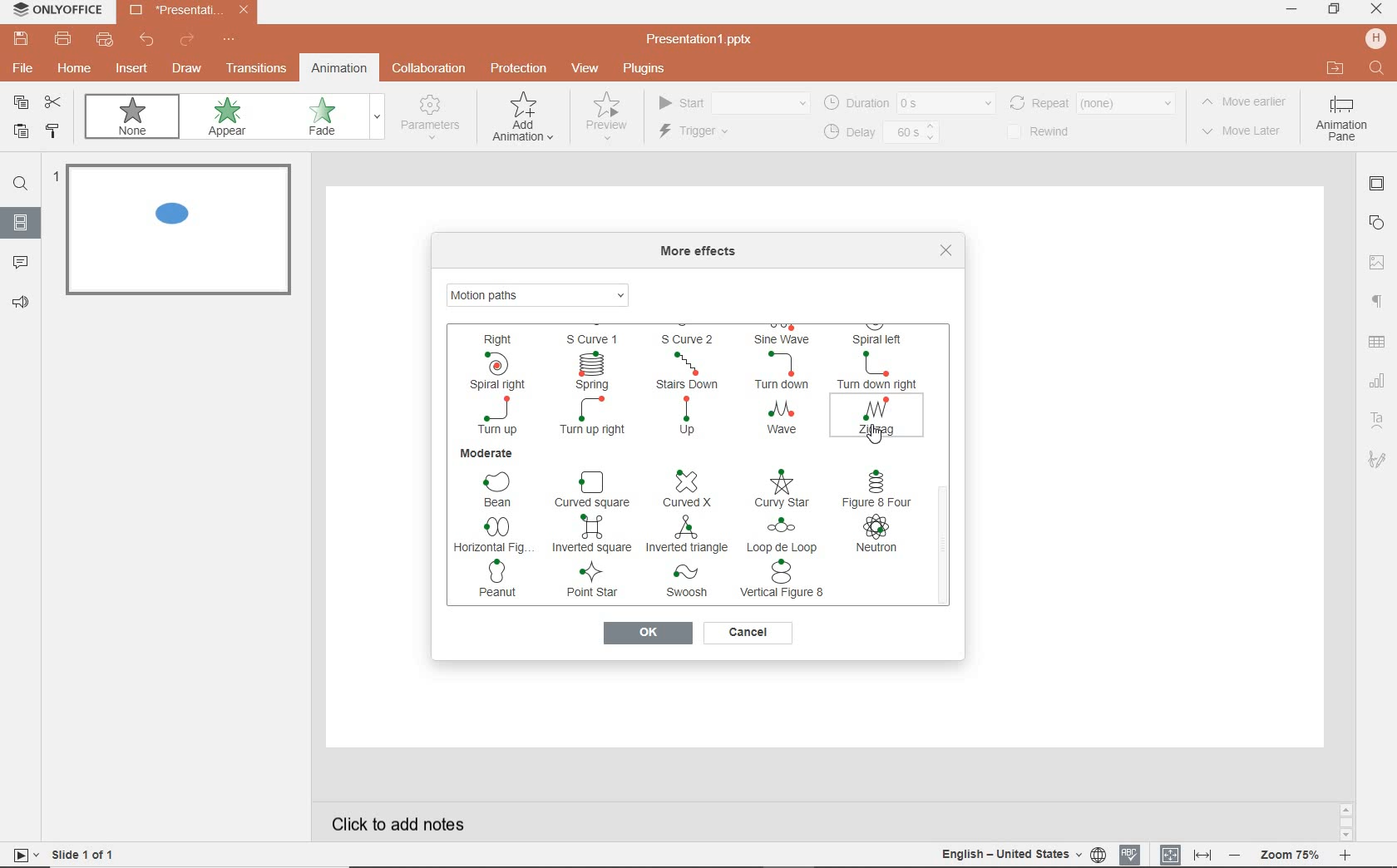  Describe the element at coordinates (63, 41) in the screenshot. I see `print` at that location.